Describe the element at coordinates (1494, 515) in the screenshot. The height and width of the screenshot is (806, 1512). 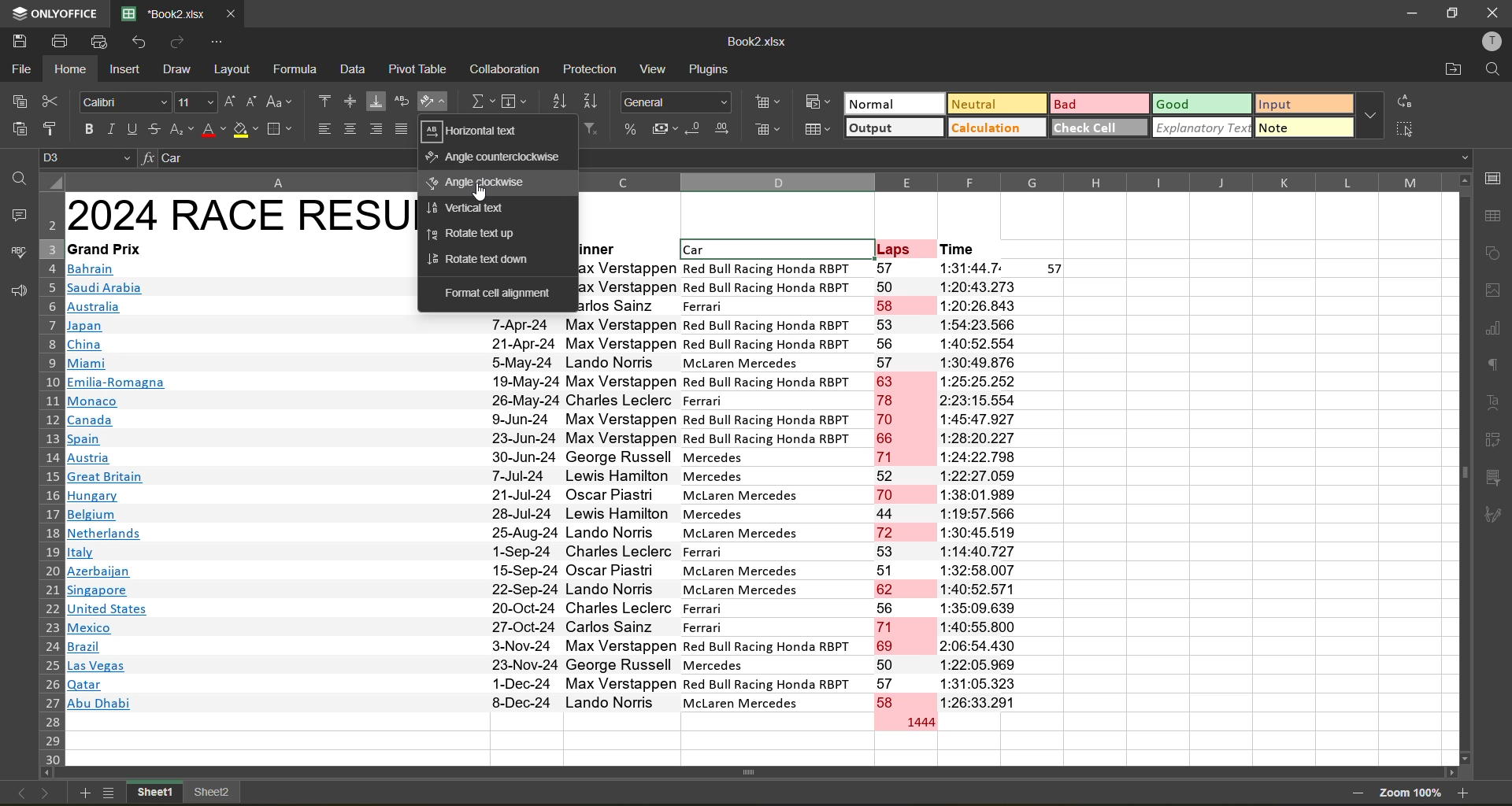
I see `signature` at that location.